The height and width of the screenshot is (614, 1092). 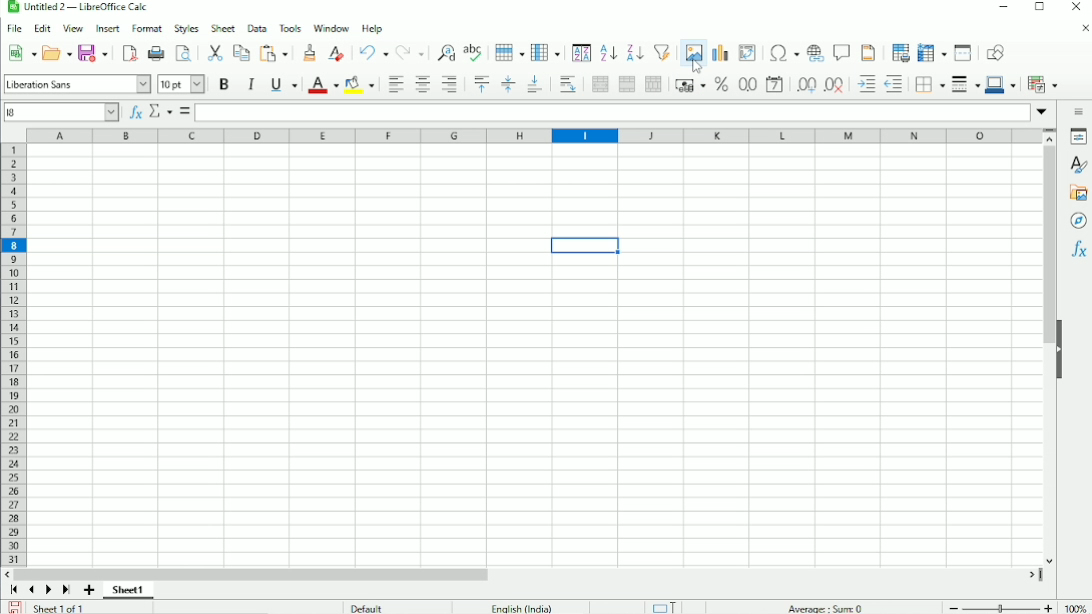 What do you see at coordinates (1079, 248) in the screenshot?
I see `Functions` at bounding box center [1079, 248].